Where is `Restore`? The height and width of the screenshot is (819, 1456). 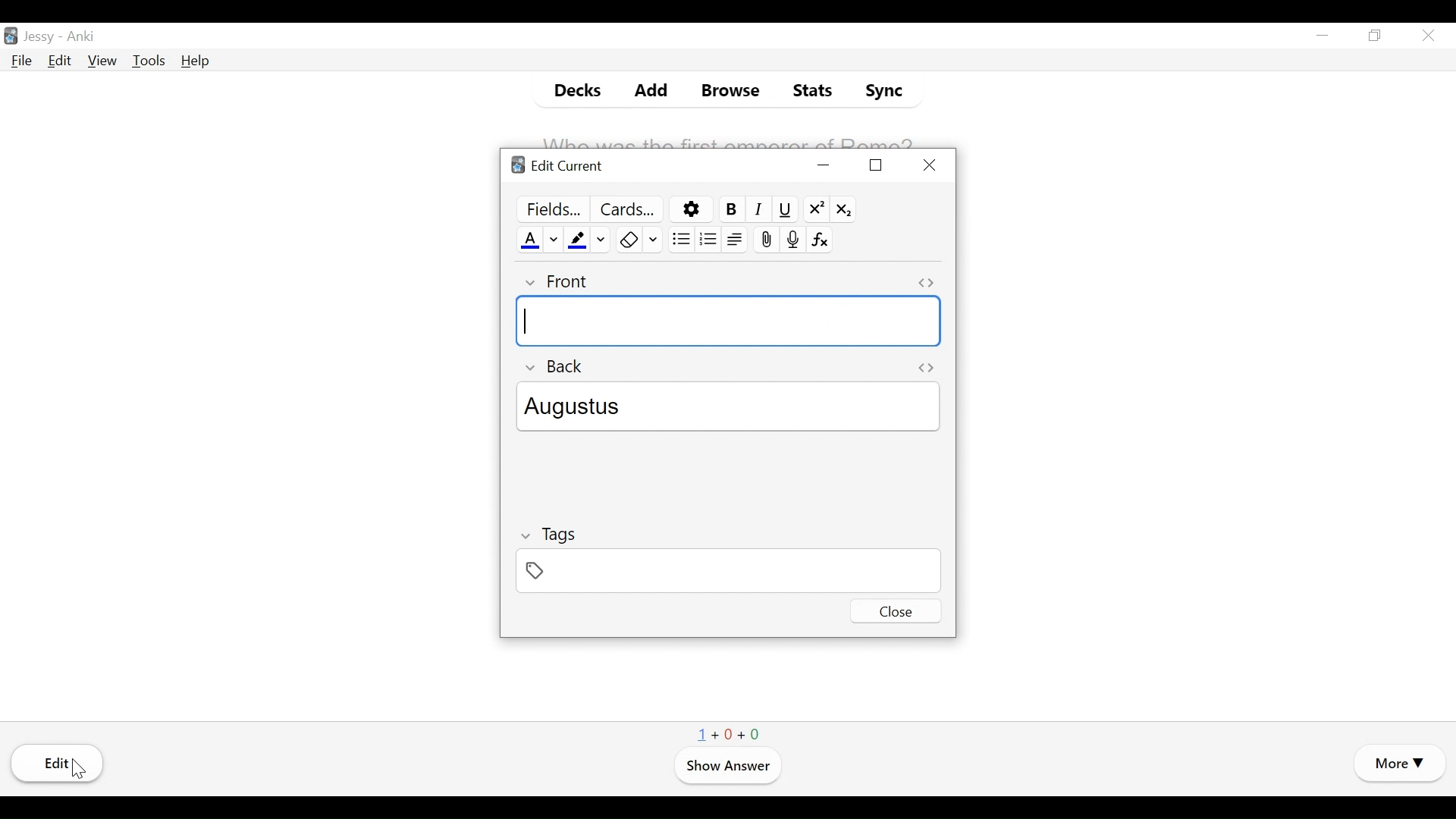 Restore is located at coordinates (1376, 36).